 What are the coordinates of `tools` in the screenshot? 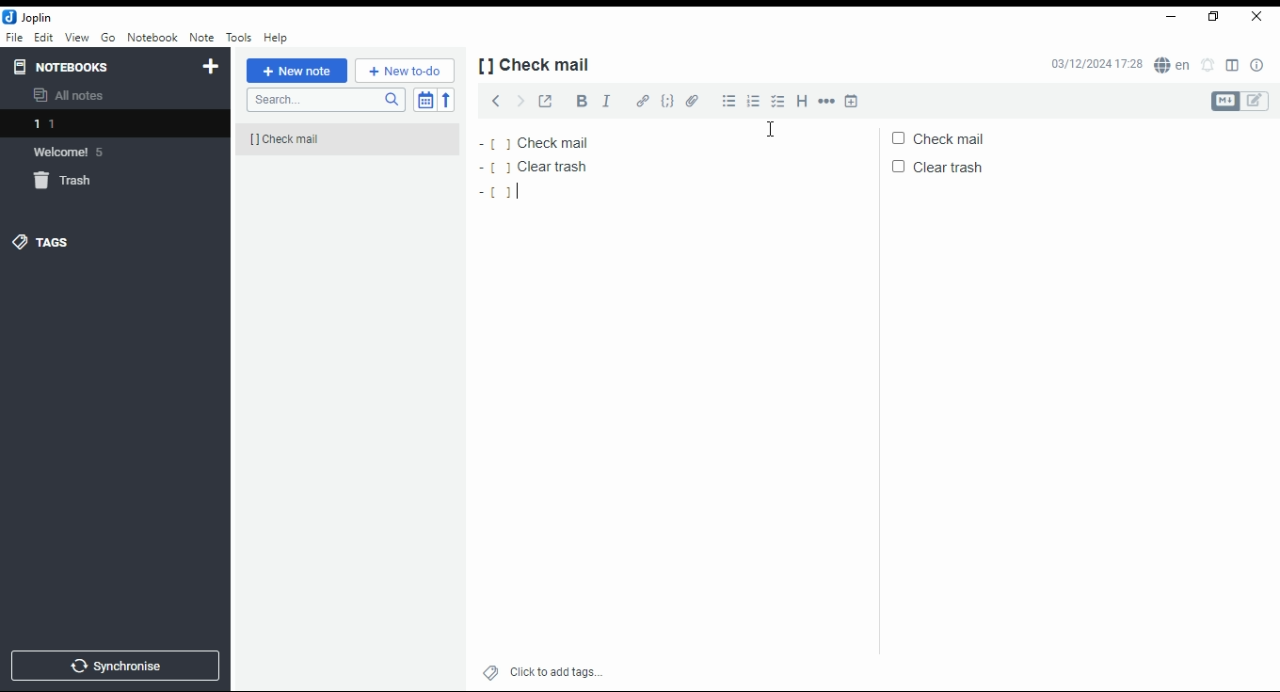 It's located at (240, 38).